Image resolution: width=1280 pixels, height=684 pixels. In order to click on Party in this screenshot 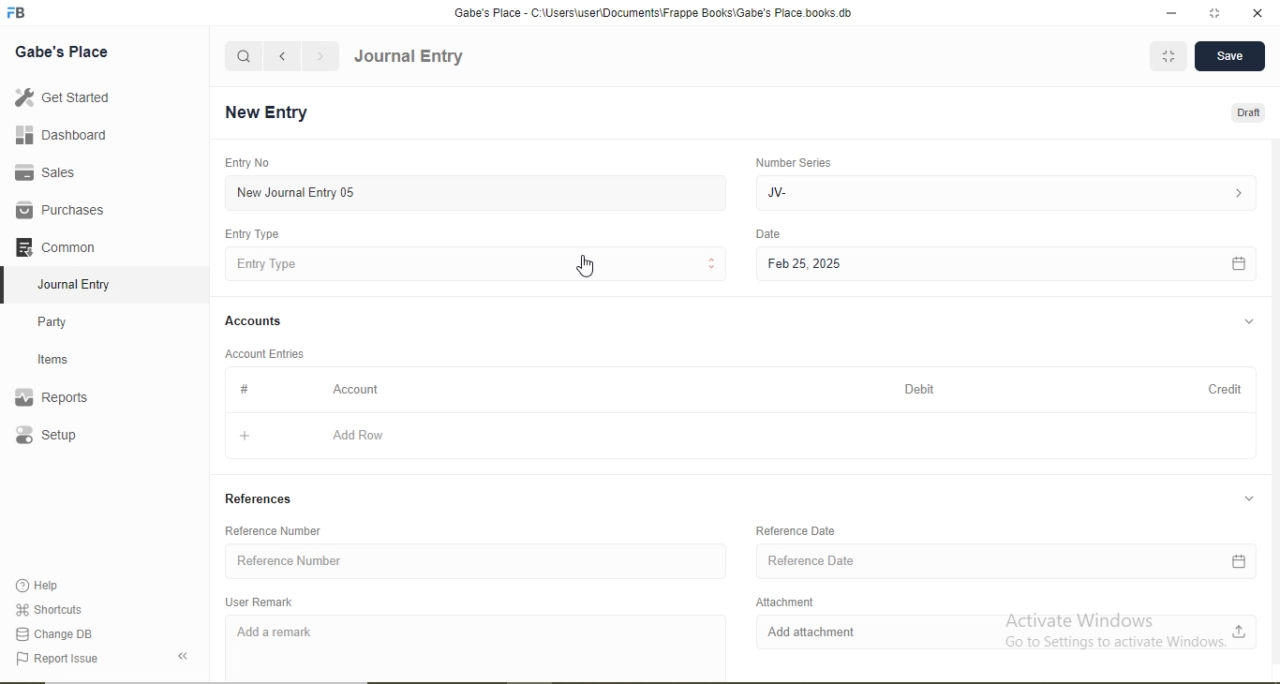, I will do `click(66, 320)`.